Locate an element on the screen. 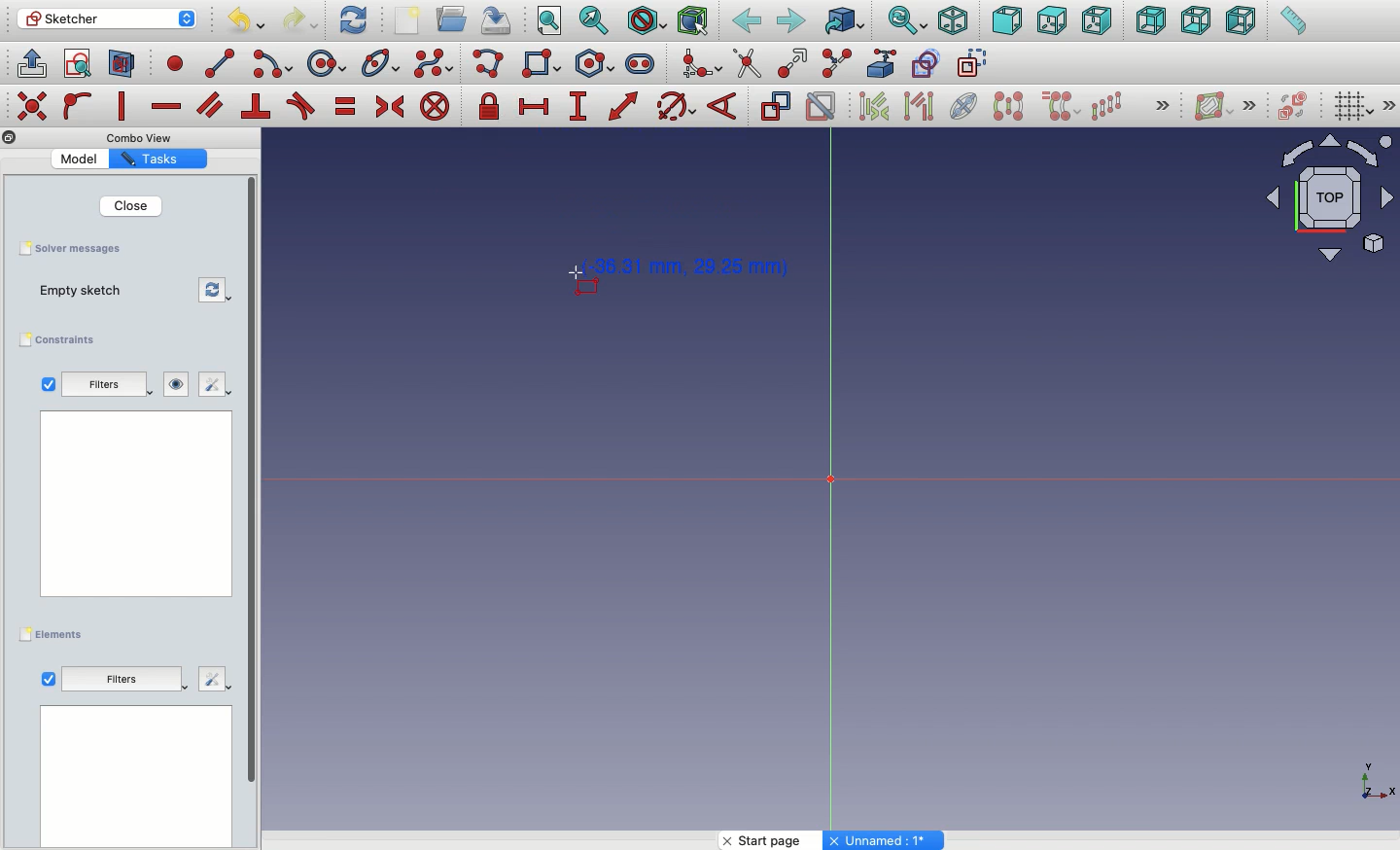 The image size is (1400, 850). line is located at coordinates (221, 63).